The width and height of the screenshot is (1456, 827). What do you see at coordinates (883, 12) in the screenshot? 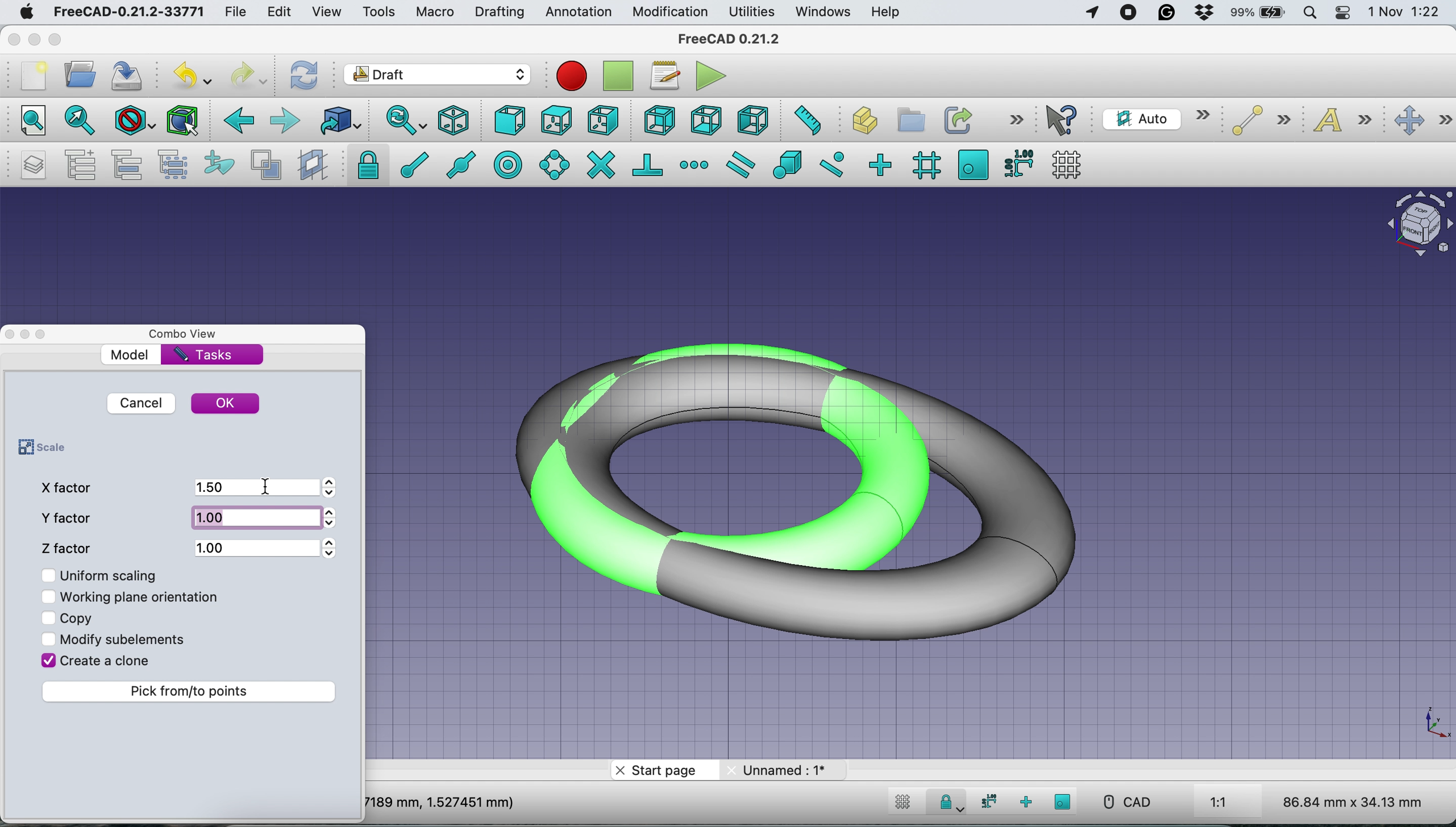
I see `help` at bounding box center [883, 12].